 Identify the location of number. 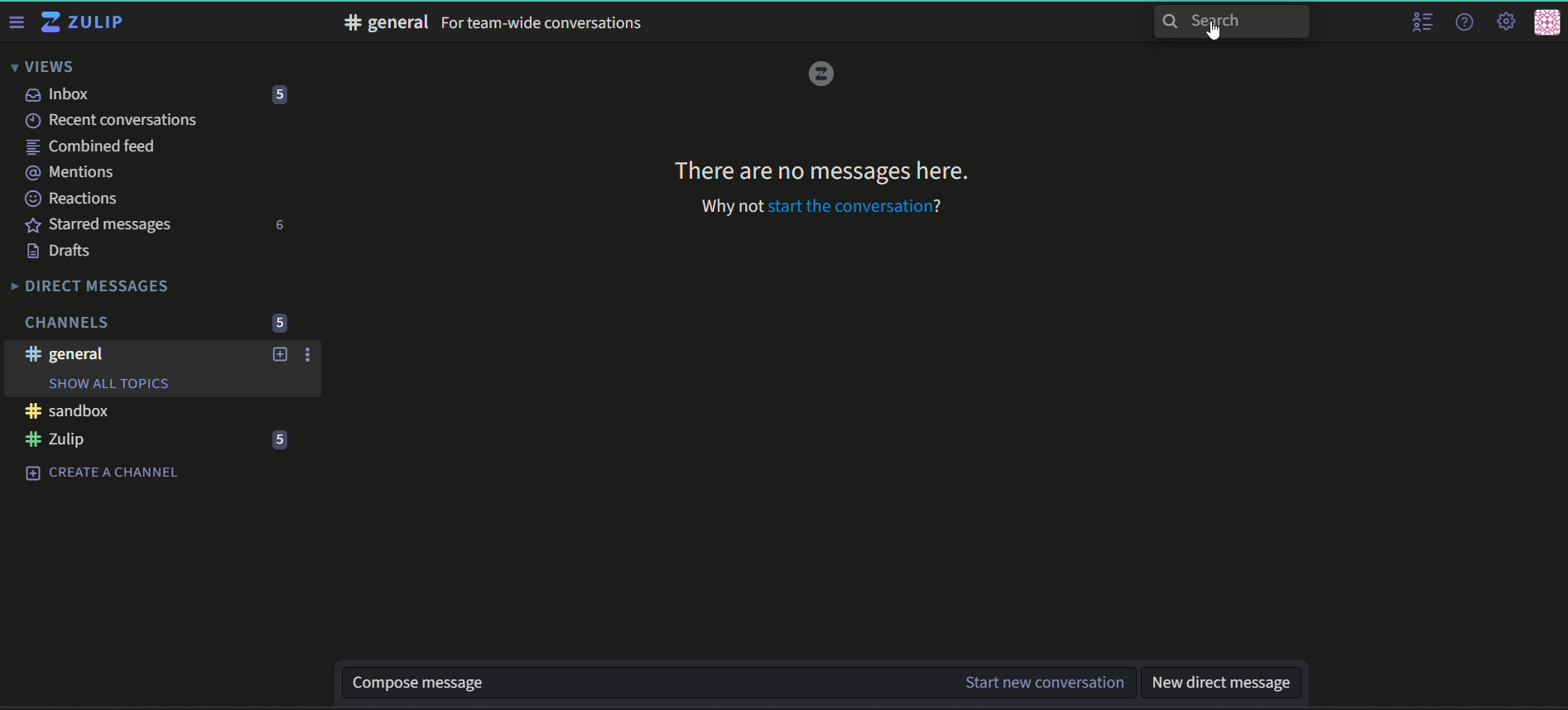
(278, 94).